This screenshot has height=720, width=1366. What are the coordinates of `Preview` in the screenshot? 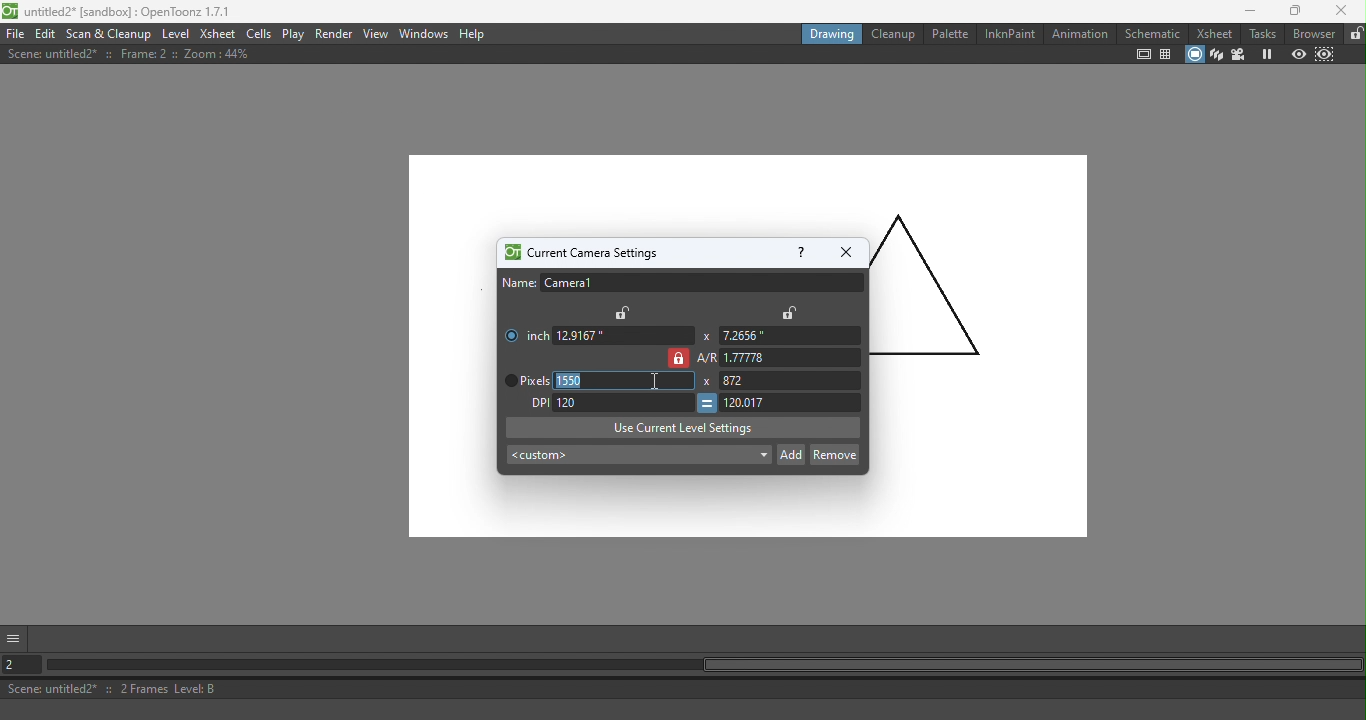 It's located at (1297, 54).